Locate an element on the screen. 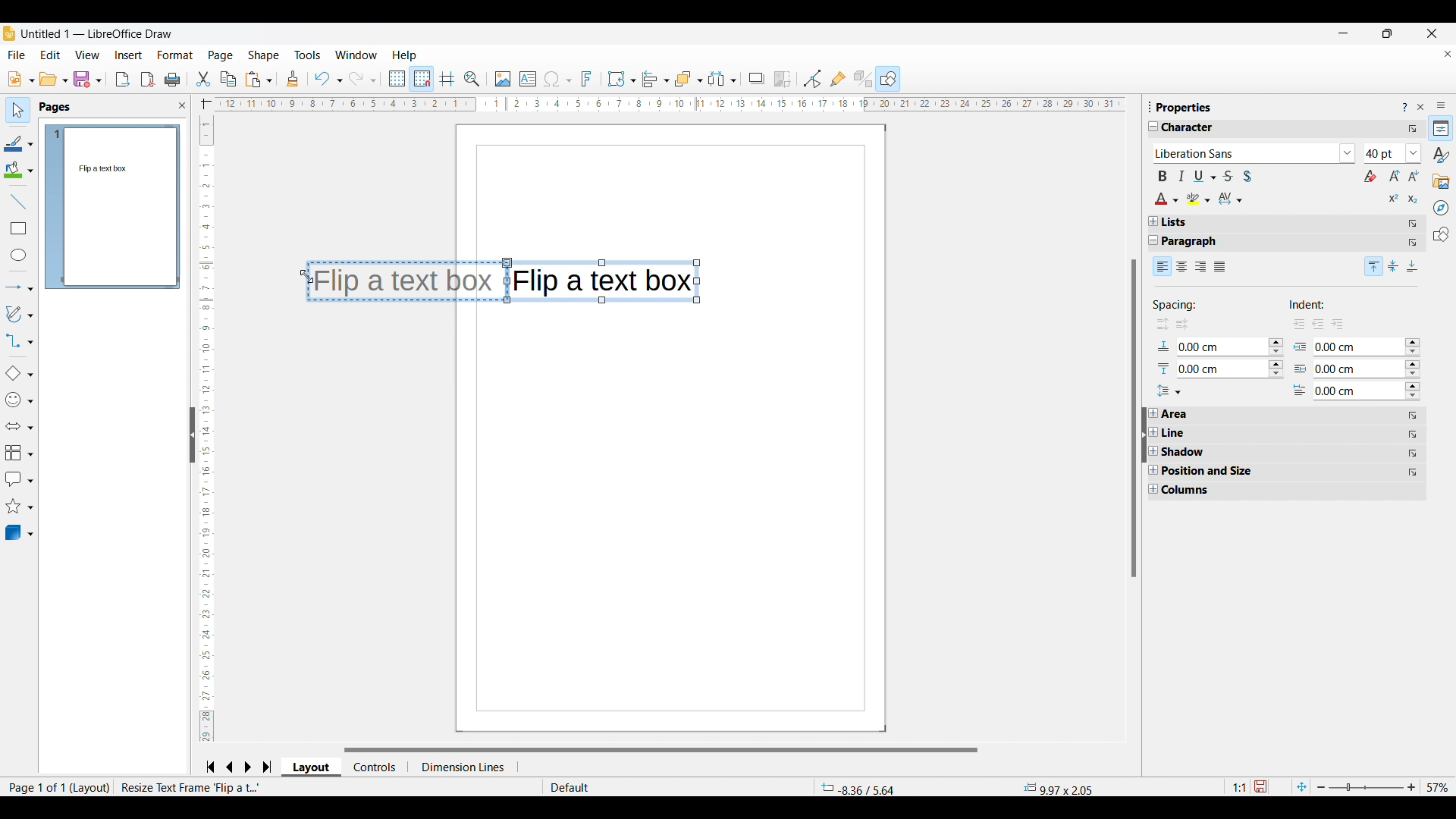 Image resolution: width=1456 pixels, height=819 pixels. Styles is located at coordinates (1441, 155).